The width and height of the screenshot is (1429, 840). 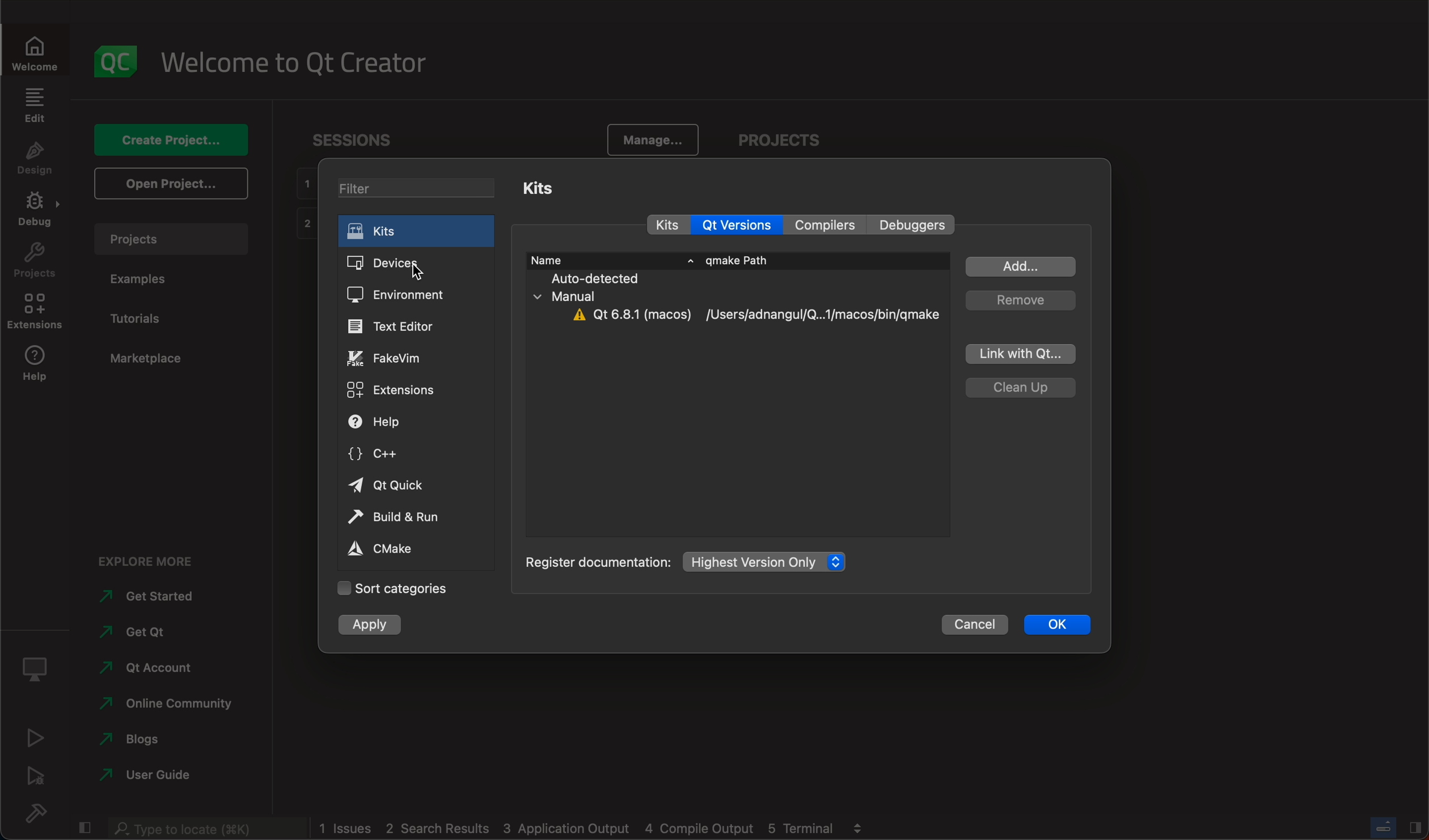 What do you see at coordinates (162, 665) in the screenshot?
I see `qt account` at bounding box center [162, 665].